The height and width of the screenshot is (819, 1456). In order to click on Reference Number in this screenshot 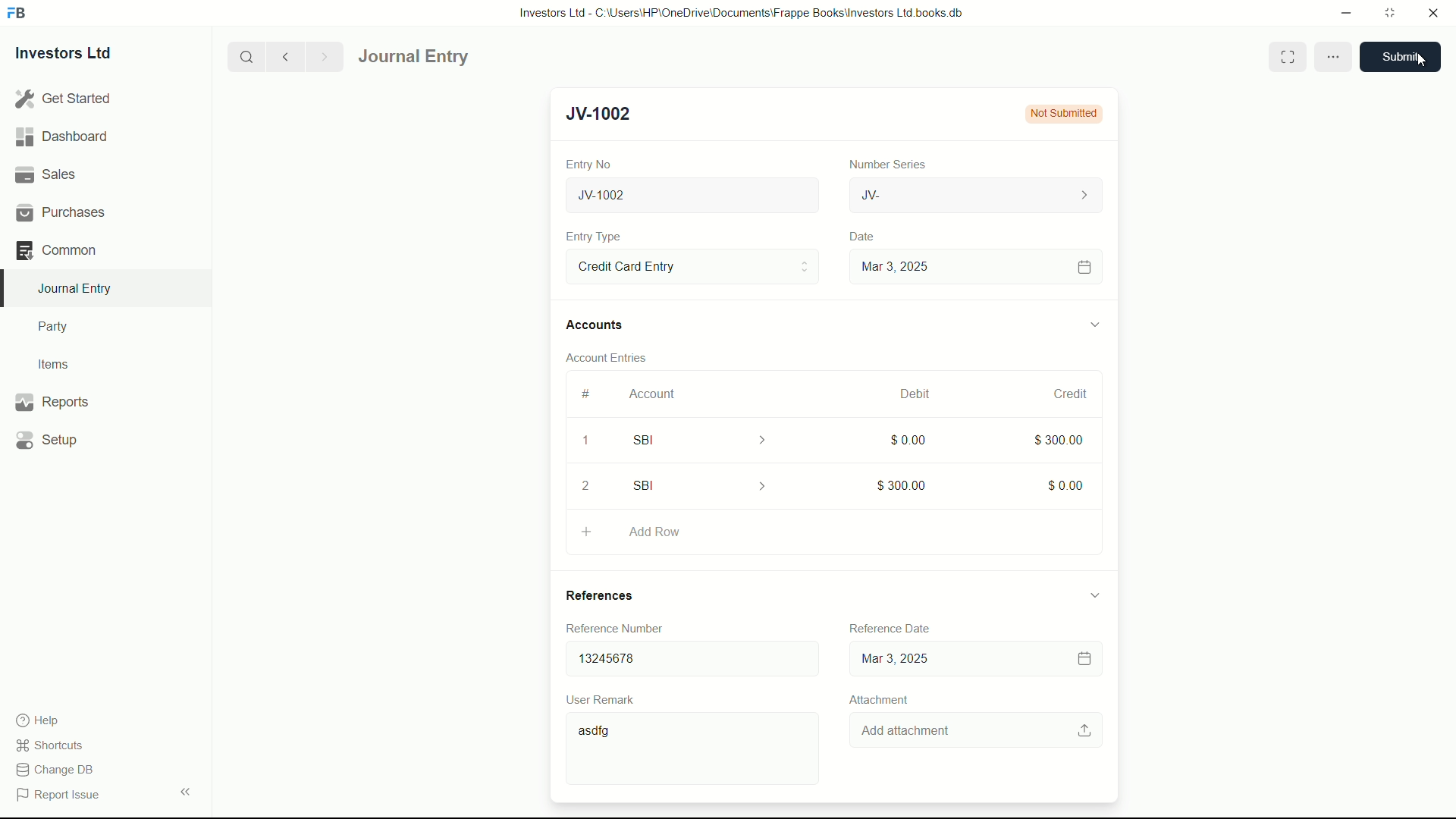, I will do `click(625, 628)`.